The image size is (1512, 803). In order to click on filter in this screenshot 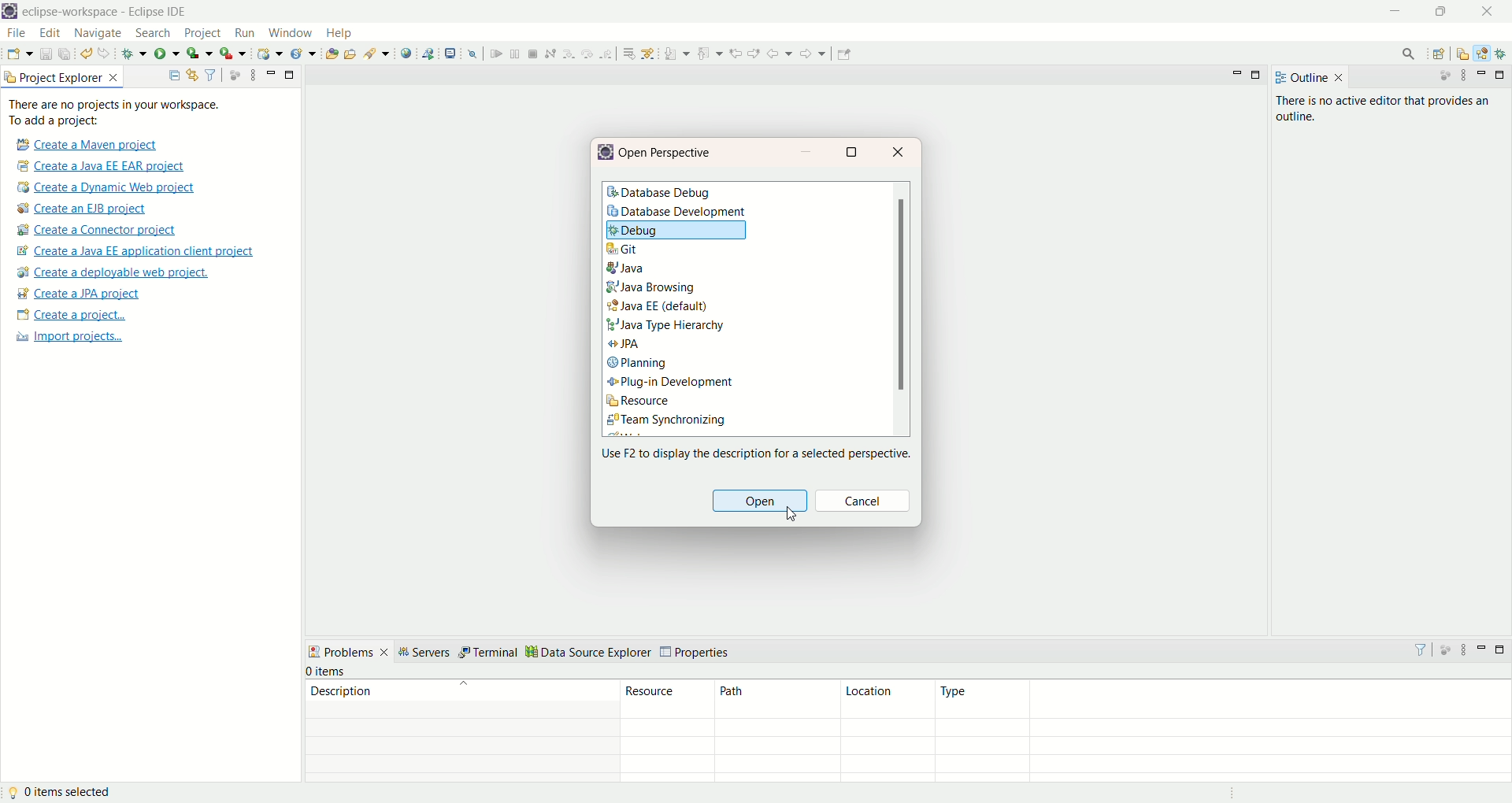, I will do `click(211, 73)`.